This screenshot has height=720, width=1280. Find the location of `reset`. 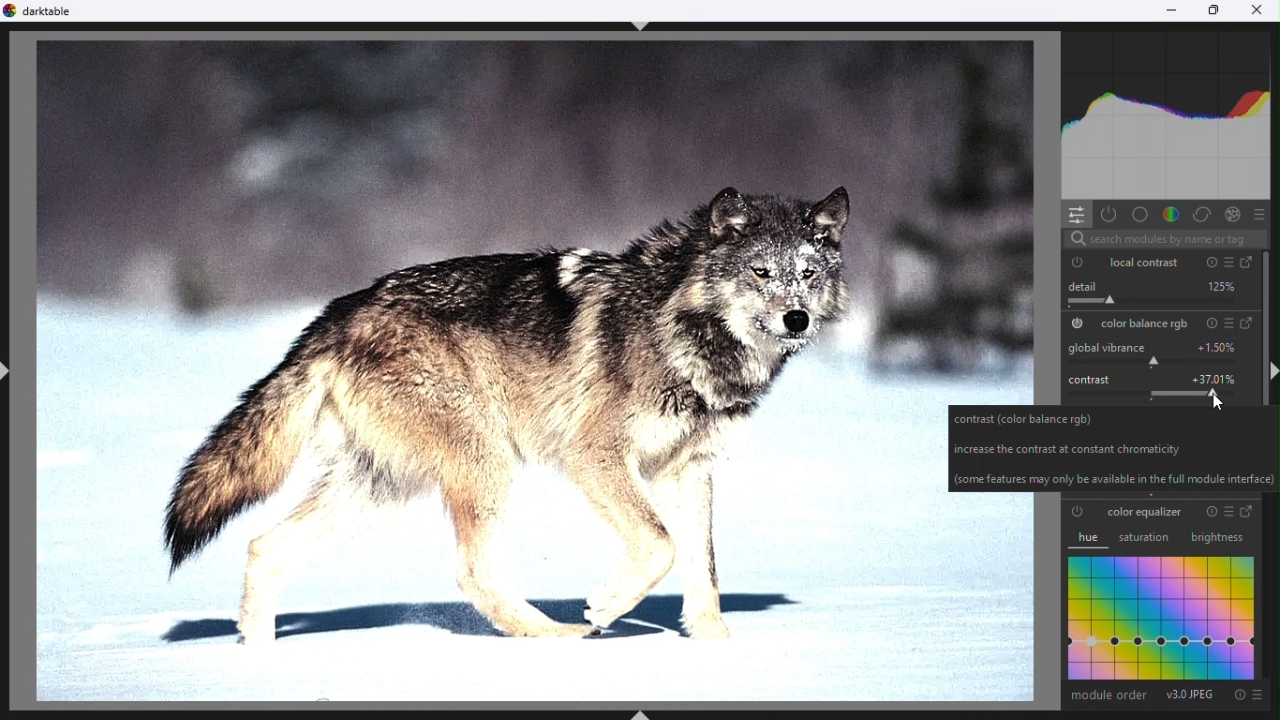

reset is located at coordinates (1208, 511).